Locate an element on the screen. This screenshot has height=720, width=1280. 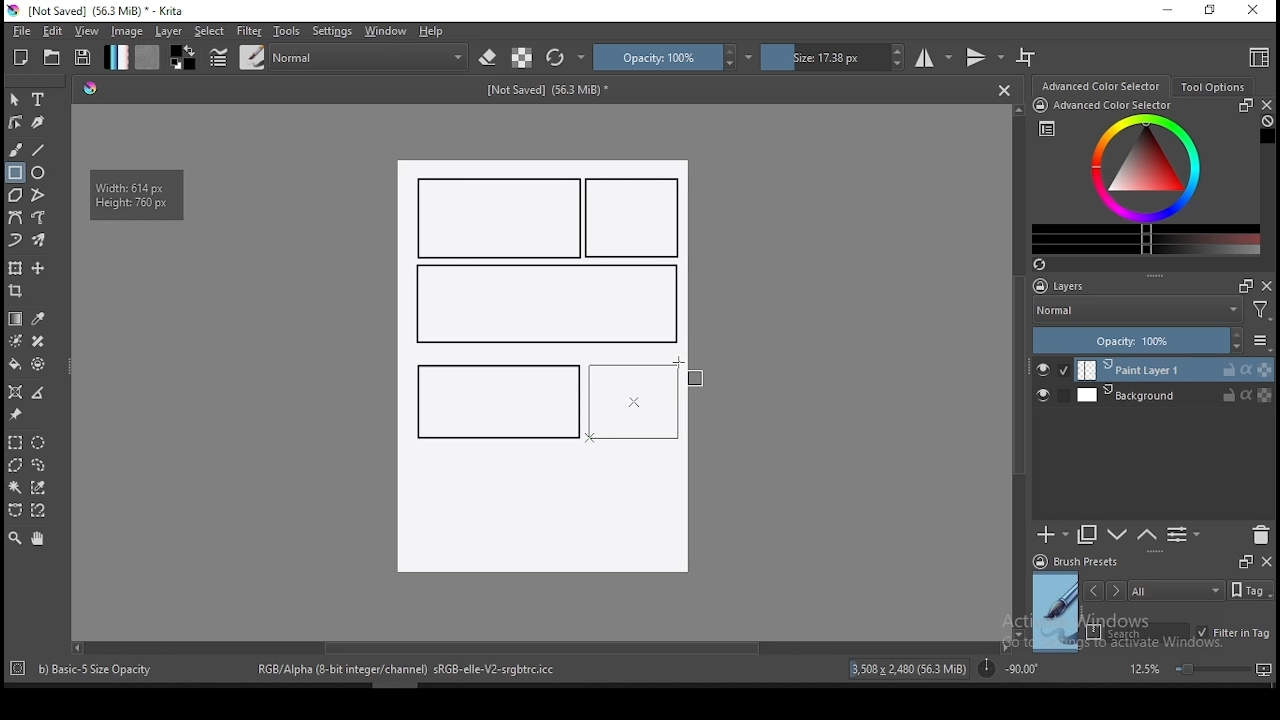
help is located at coordinates (435, 32).